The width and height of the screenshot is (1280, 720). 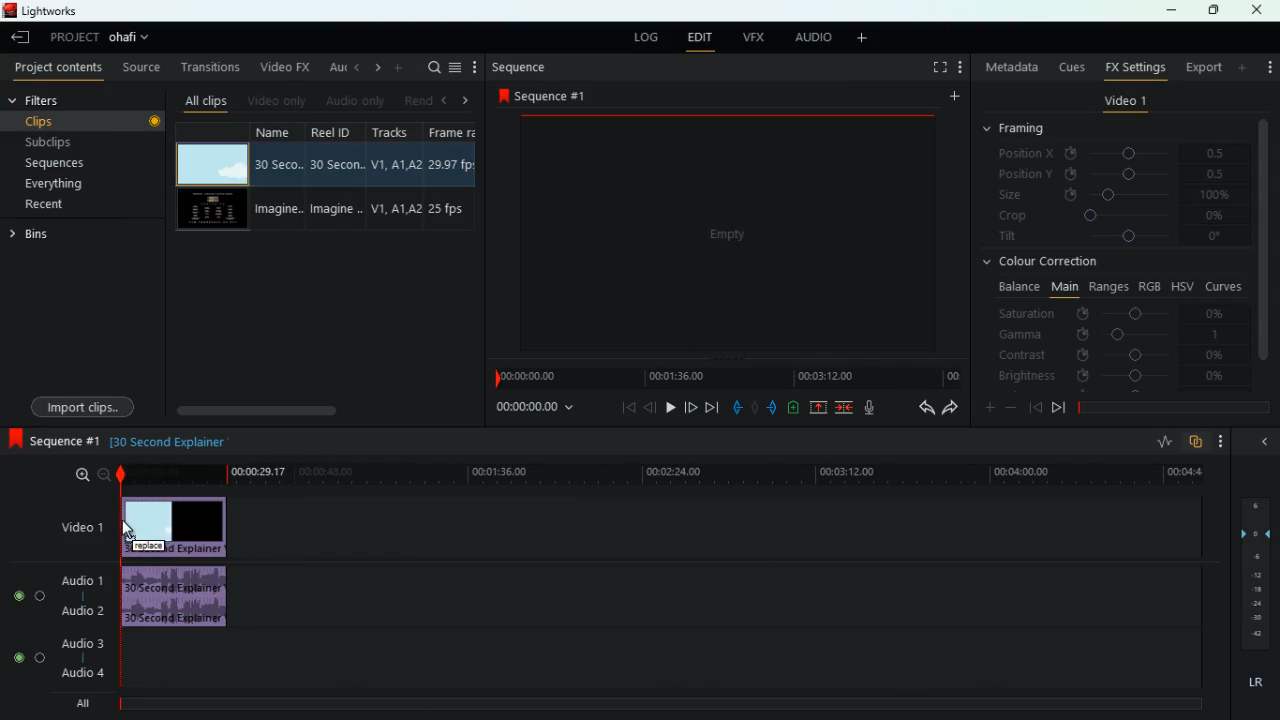 What do you see at coordinates (450, 177) in the screenshot?
I see `frame` at bounding box center [450, 177].